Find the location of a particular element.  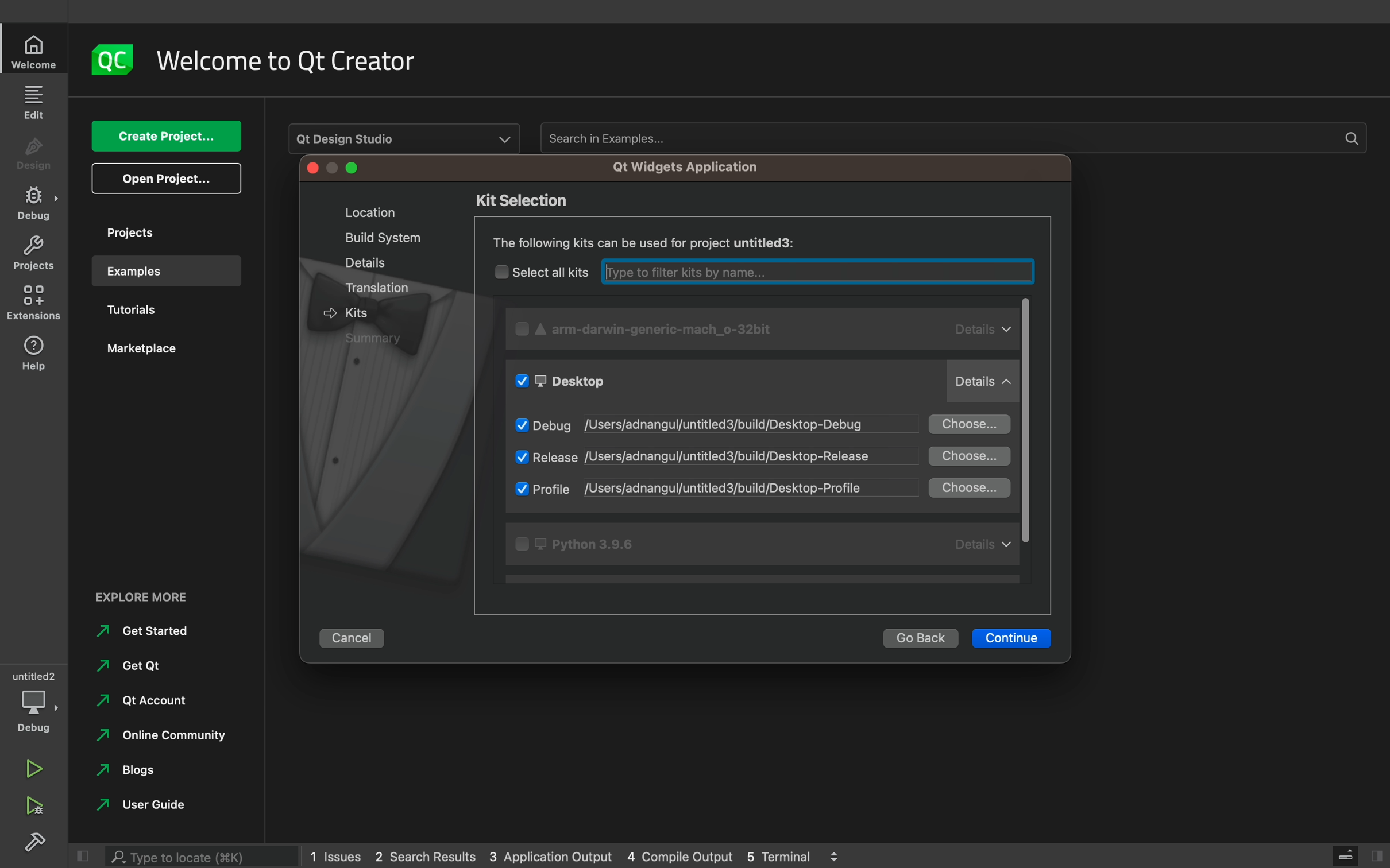

run is located at coordinates (34, 764).